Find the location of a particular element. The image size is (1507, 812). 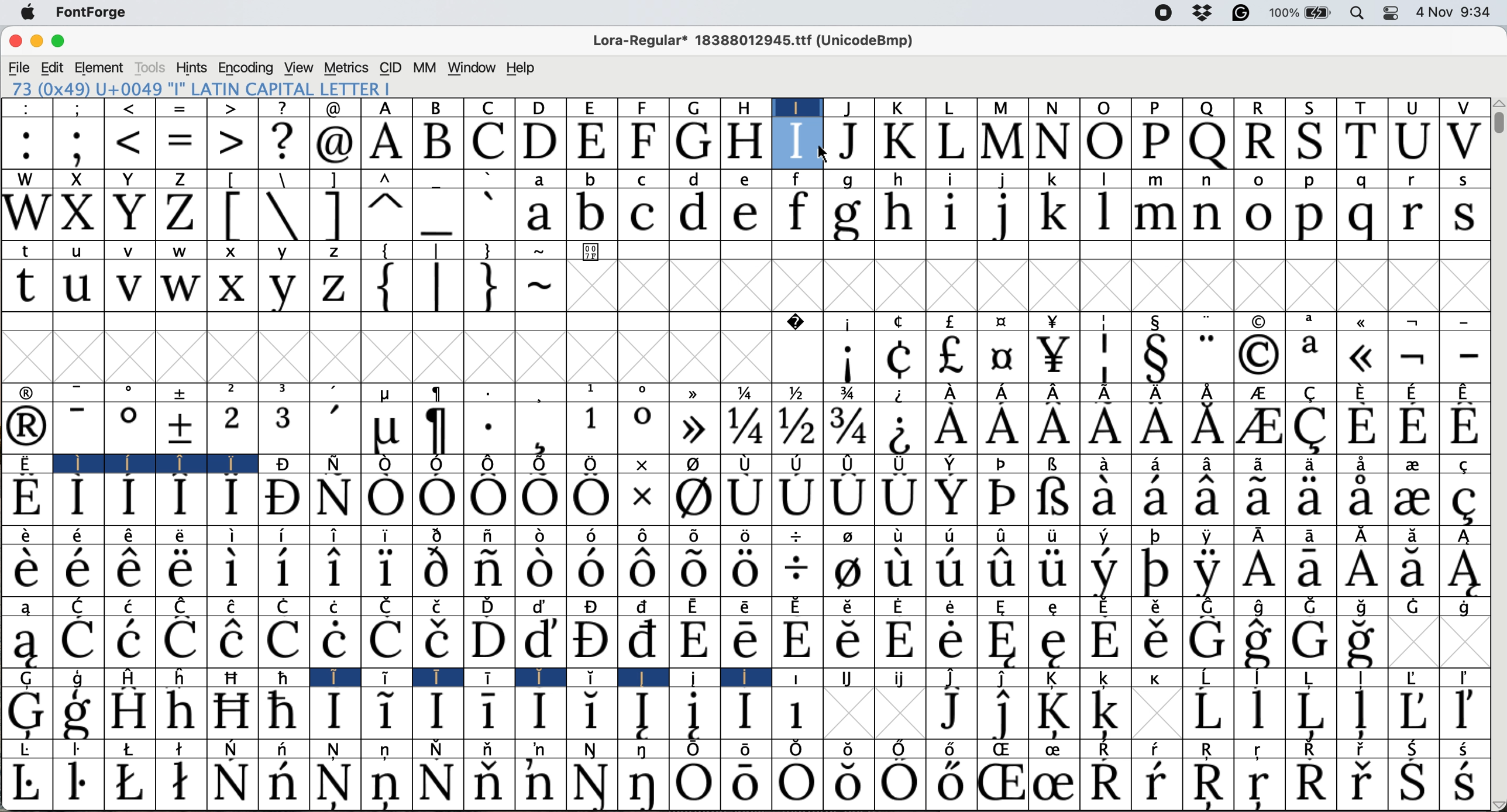

Symbol is located at coordinates (1413, 784).